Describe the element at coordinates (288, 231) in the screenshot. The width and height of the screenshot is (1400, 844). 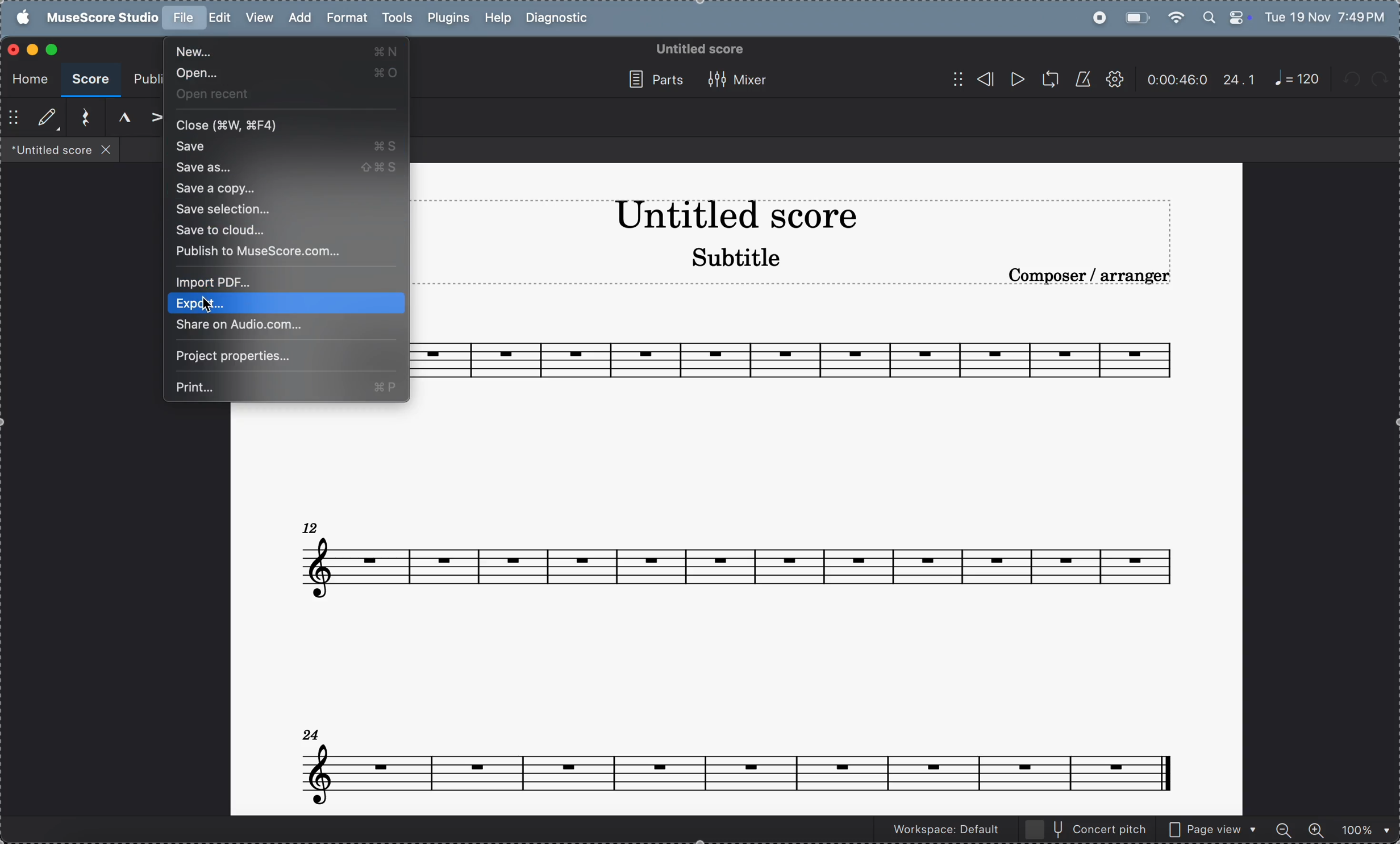
I see `save to cloud` at that location.